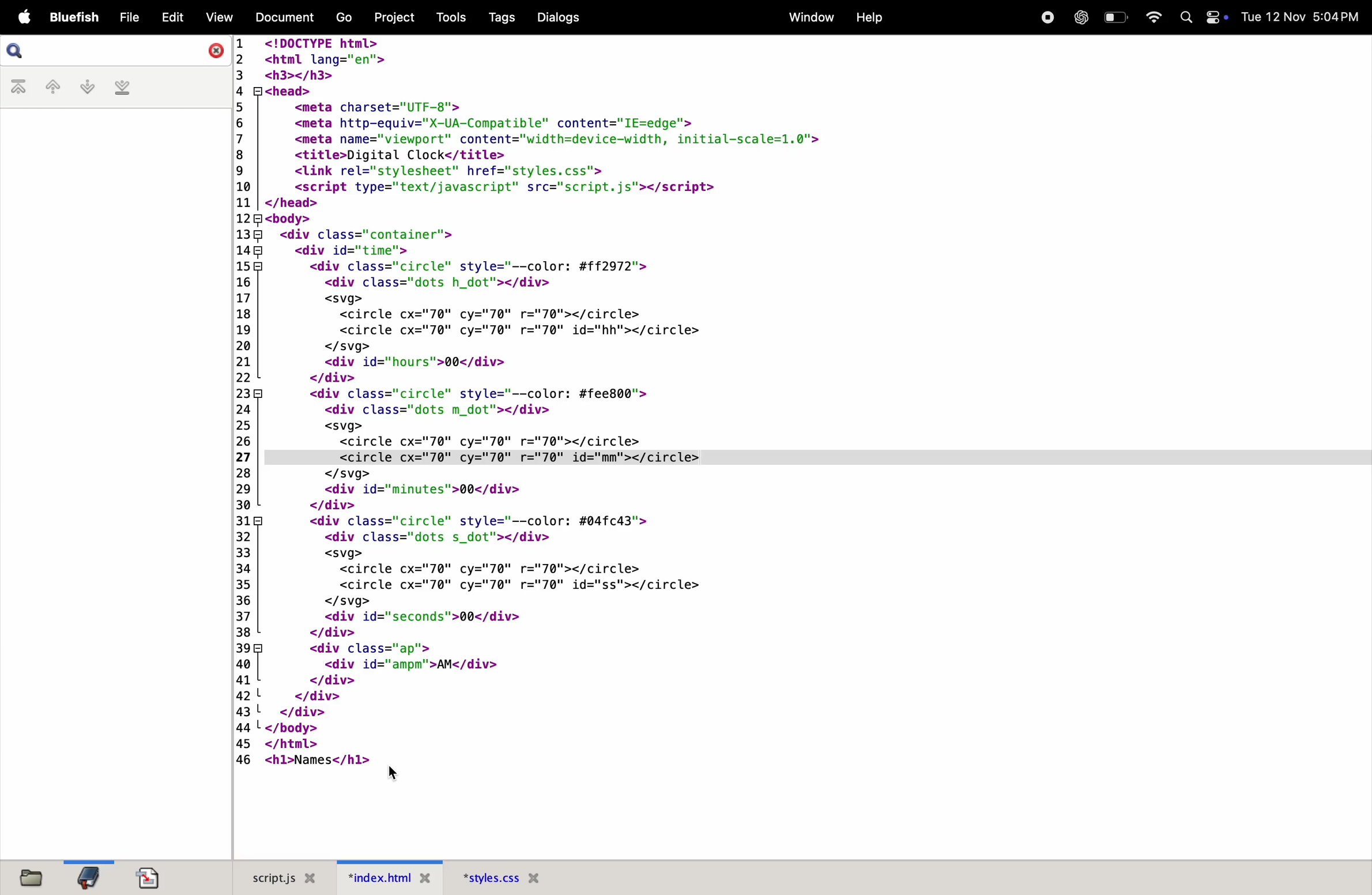 The image size is (1372, 895). What do you see at coordinates (870, 16) in the screenshot?
I see `help` at bounding box center [870, 16].